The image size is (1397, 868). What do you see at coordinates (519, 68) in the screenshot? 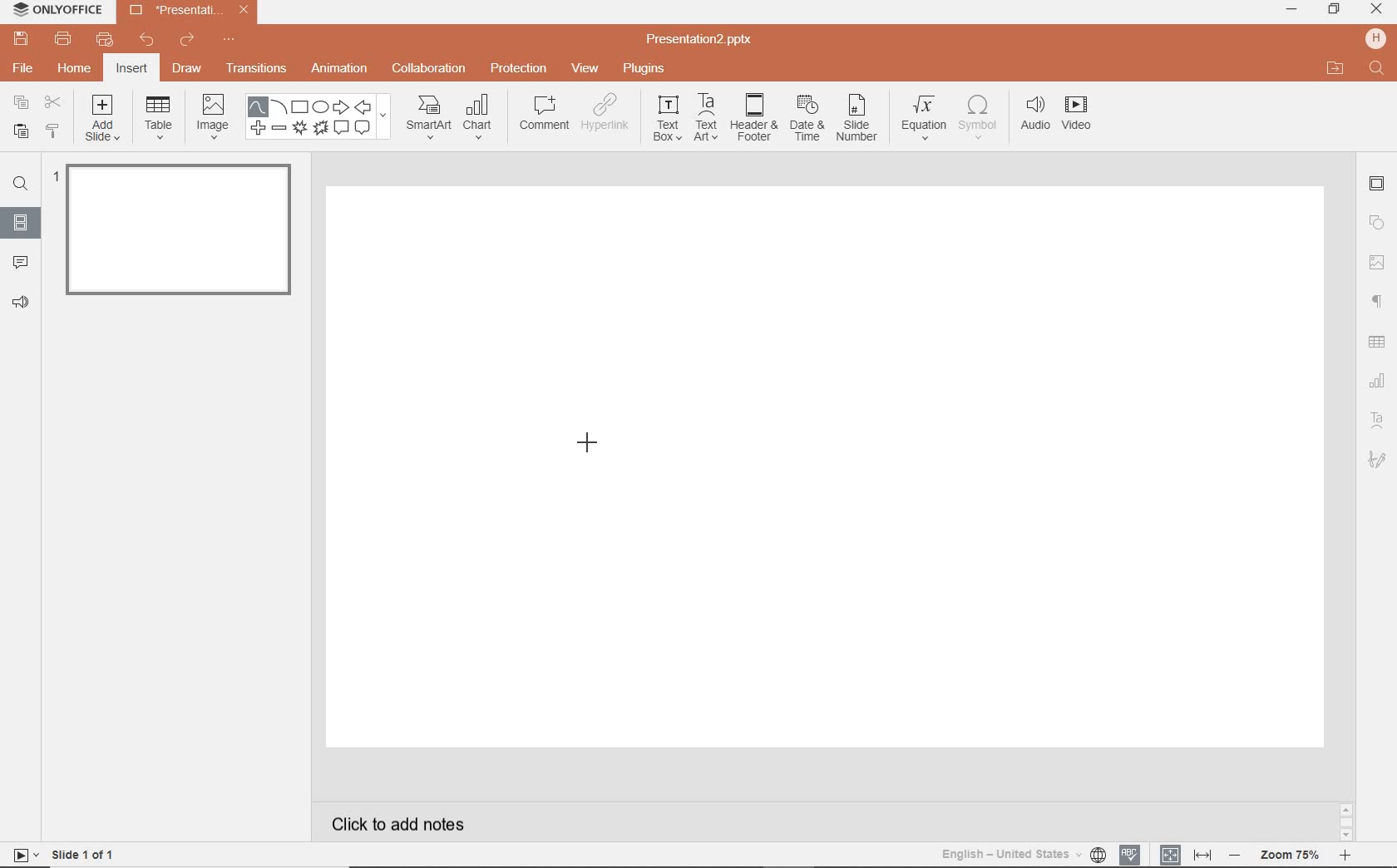
I see `PROTECTION` at bounding box center [519, 68].